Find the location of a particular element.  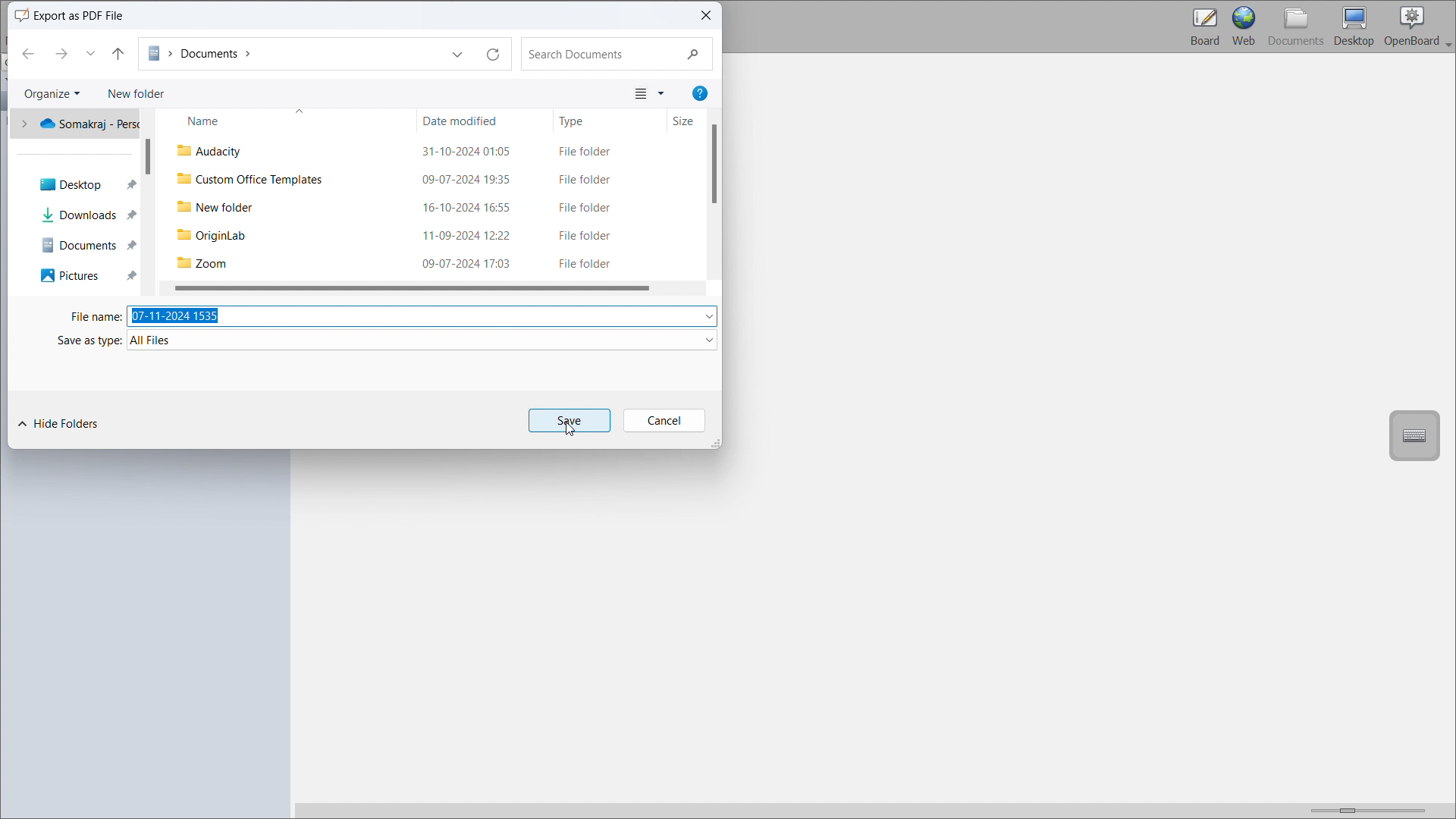

virtual keyboard is located at coordinates (1414, 435).